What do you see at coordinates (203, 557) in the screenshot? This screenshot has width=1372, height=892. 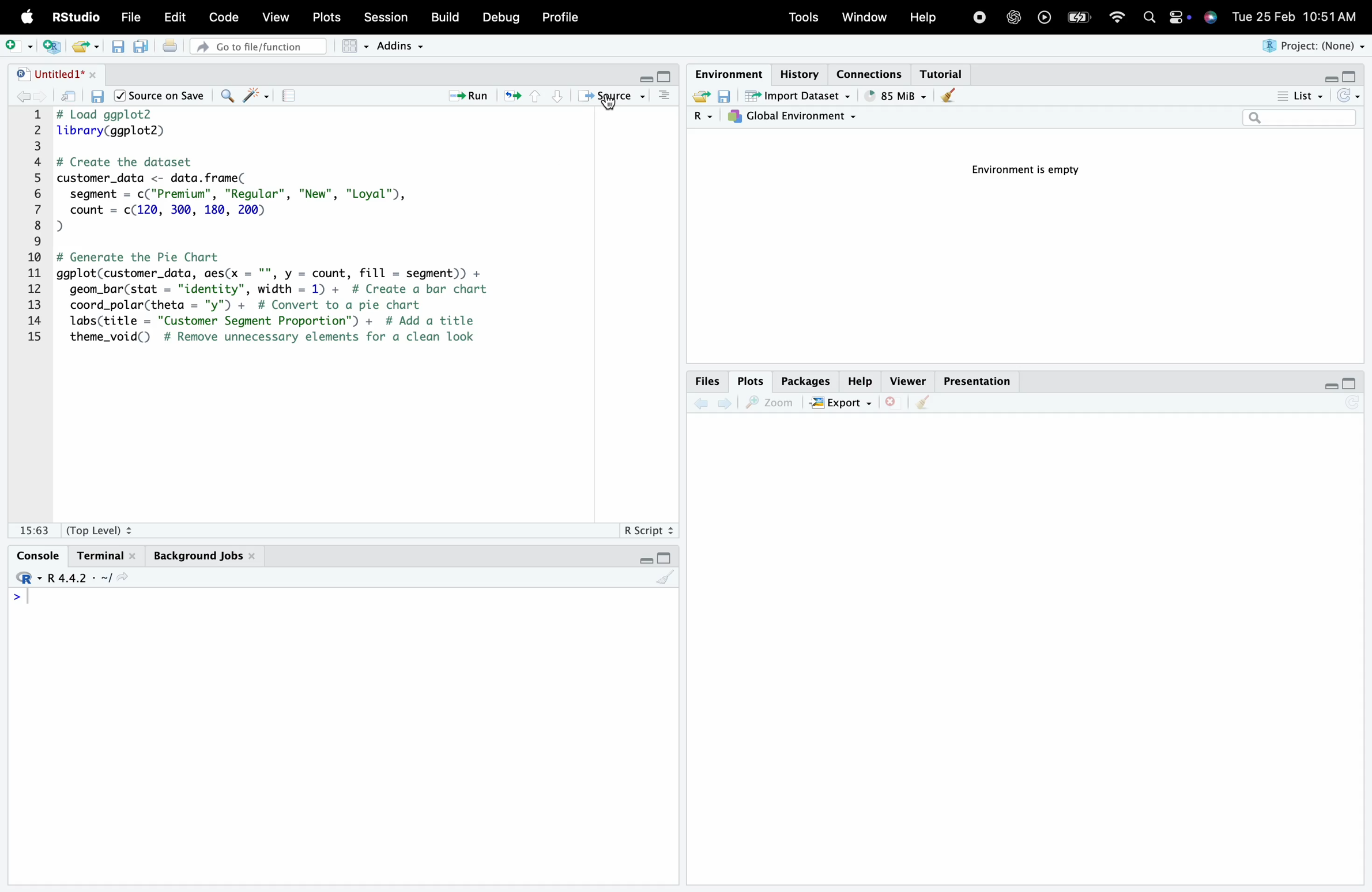 I see `Background Jobs` at bounding box center [203, 557].